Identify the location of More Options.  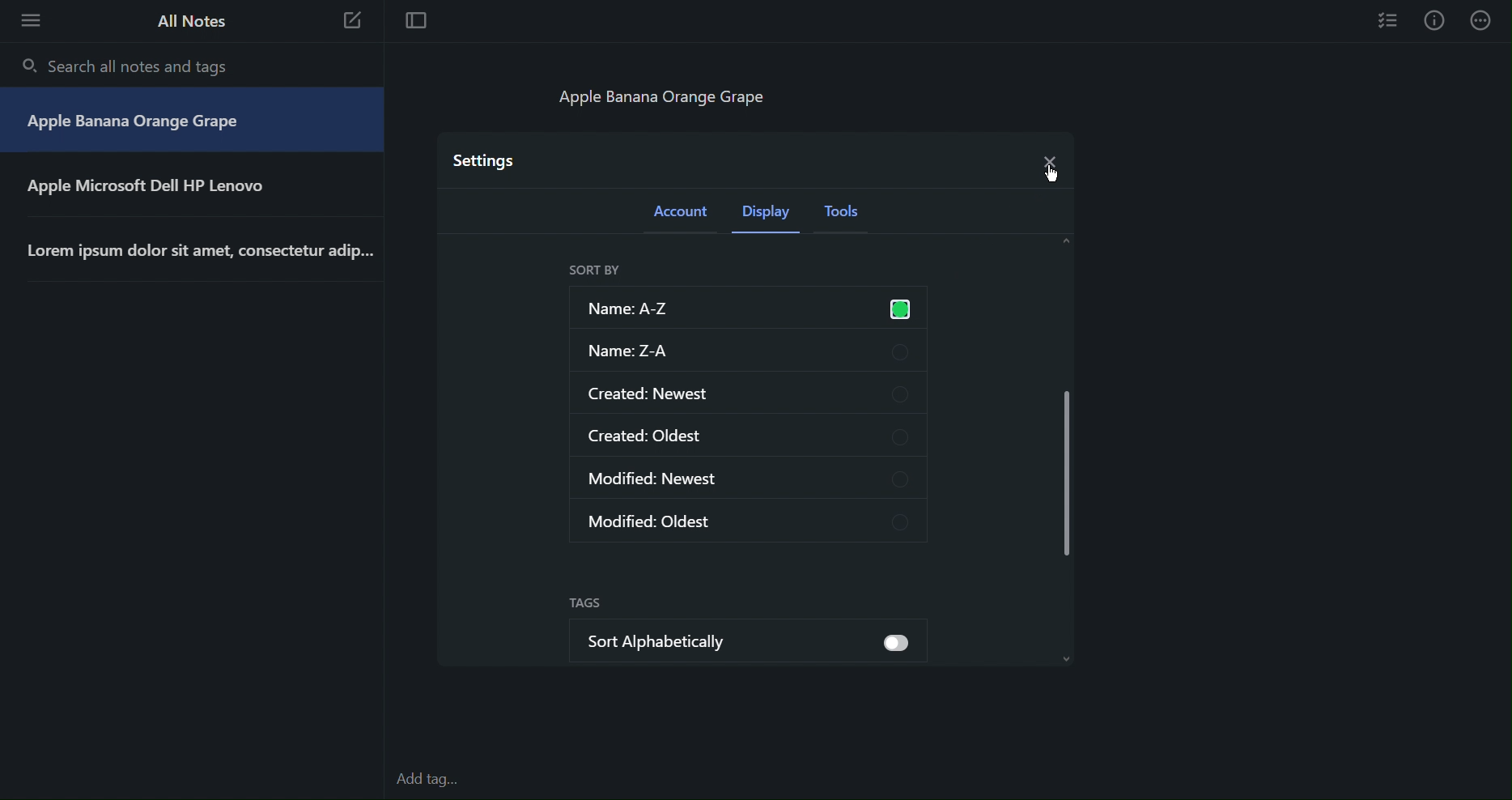
(26, 19).